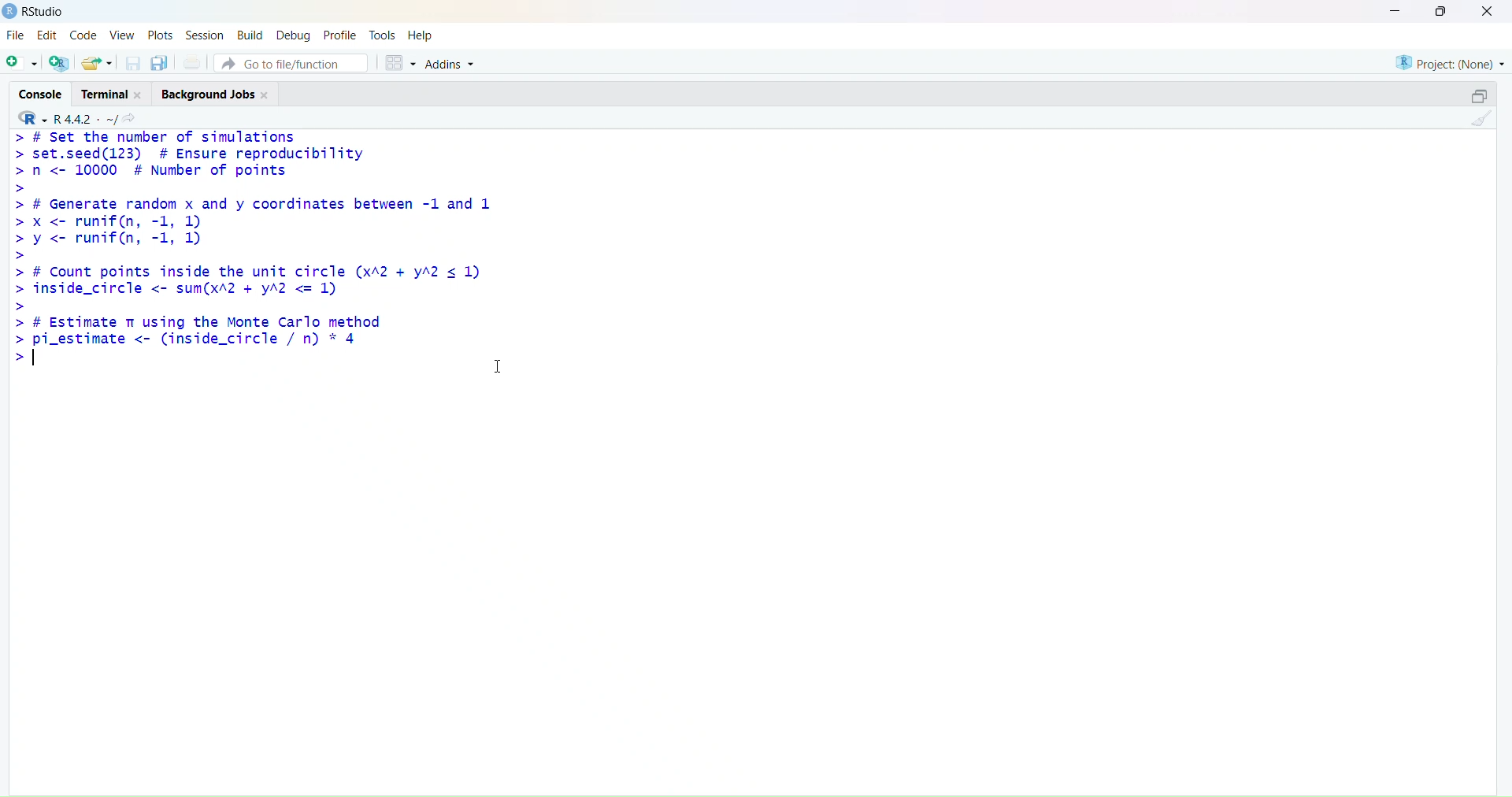 This screenshot has width=1512, height=797. What do you see at coordinates (161, 61) in the screenshot?
I see `Save all open documents (Ctrl + Alt + S)` at bounding box center [161, 61].